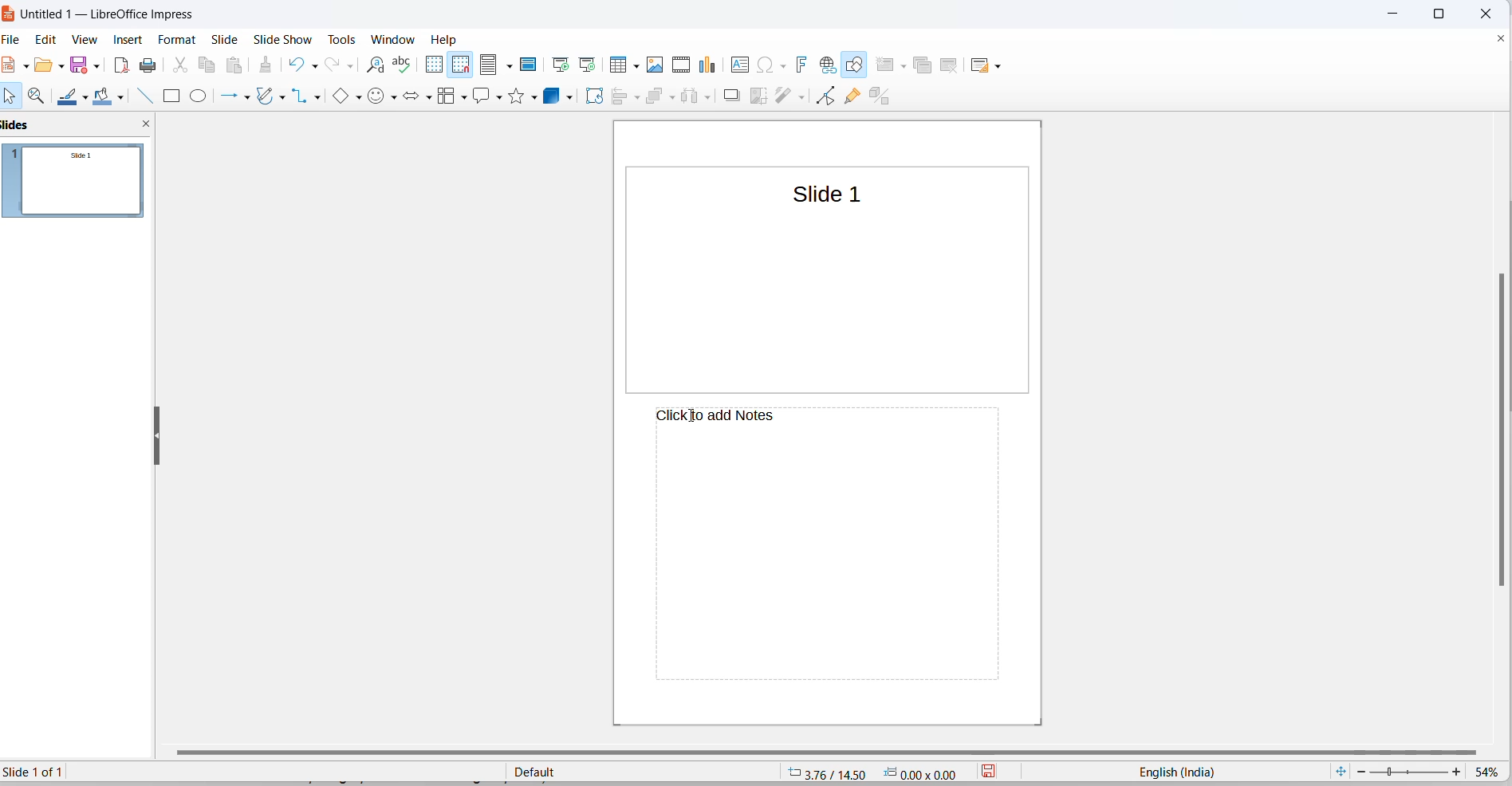 This screenshot has width=1512, height=786. What do you see at coordinates (619, 99) in the screenshot?
I see `align` at bounding box center [619, 99].